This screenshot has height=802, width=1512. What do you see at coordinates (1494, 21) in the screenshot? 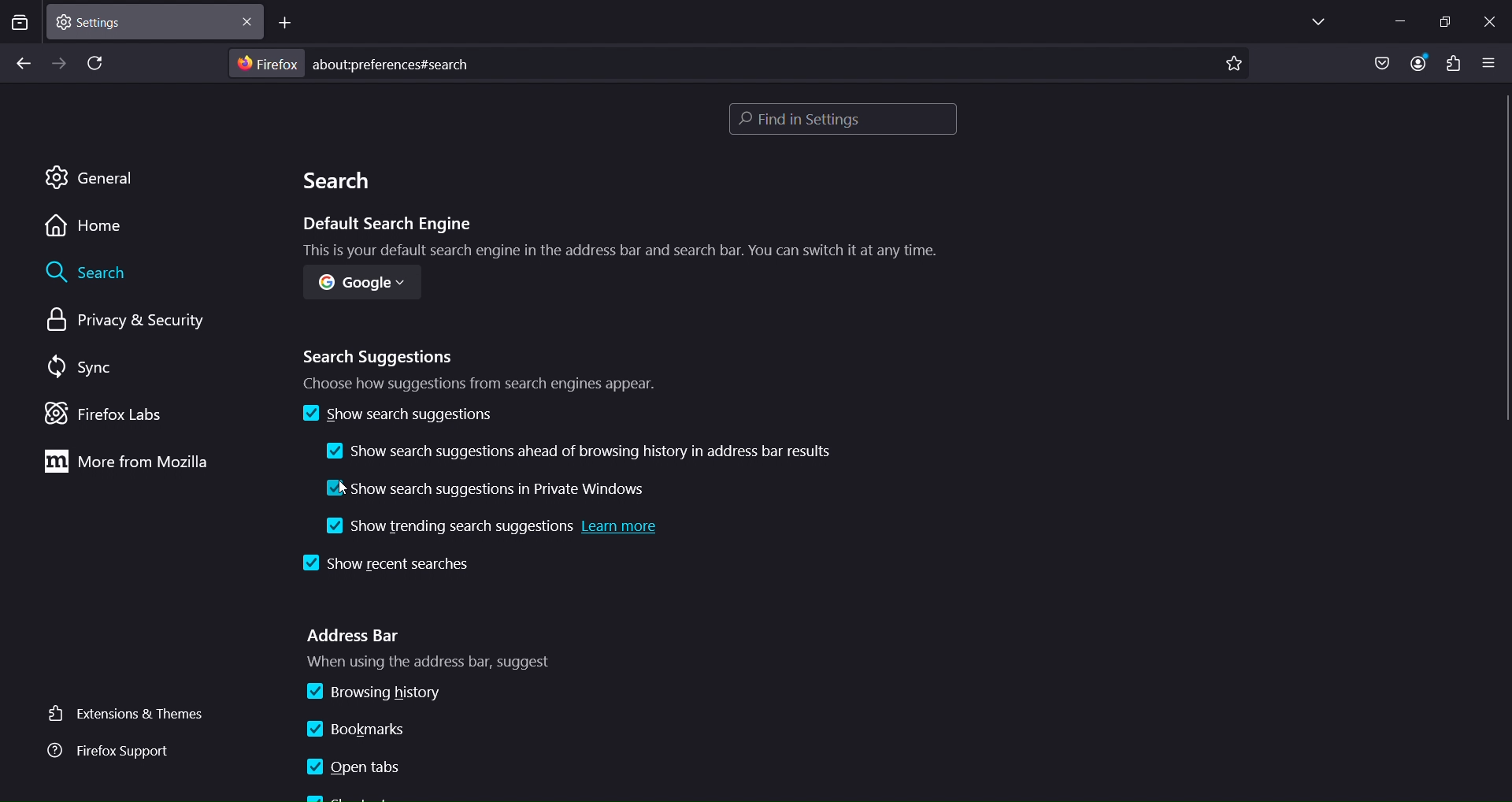
I see `close` at bounding box center [1494, 21].